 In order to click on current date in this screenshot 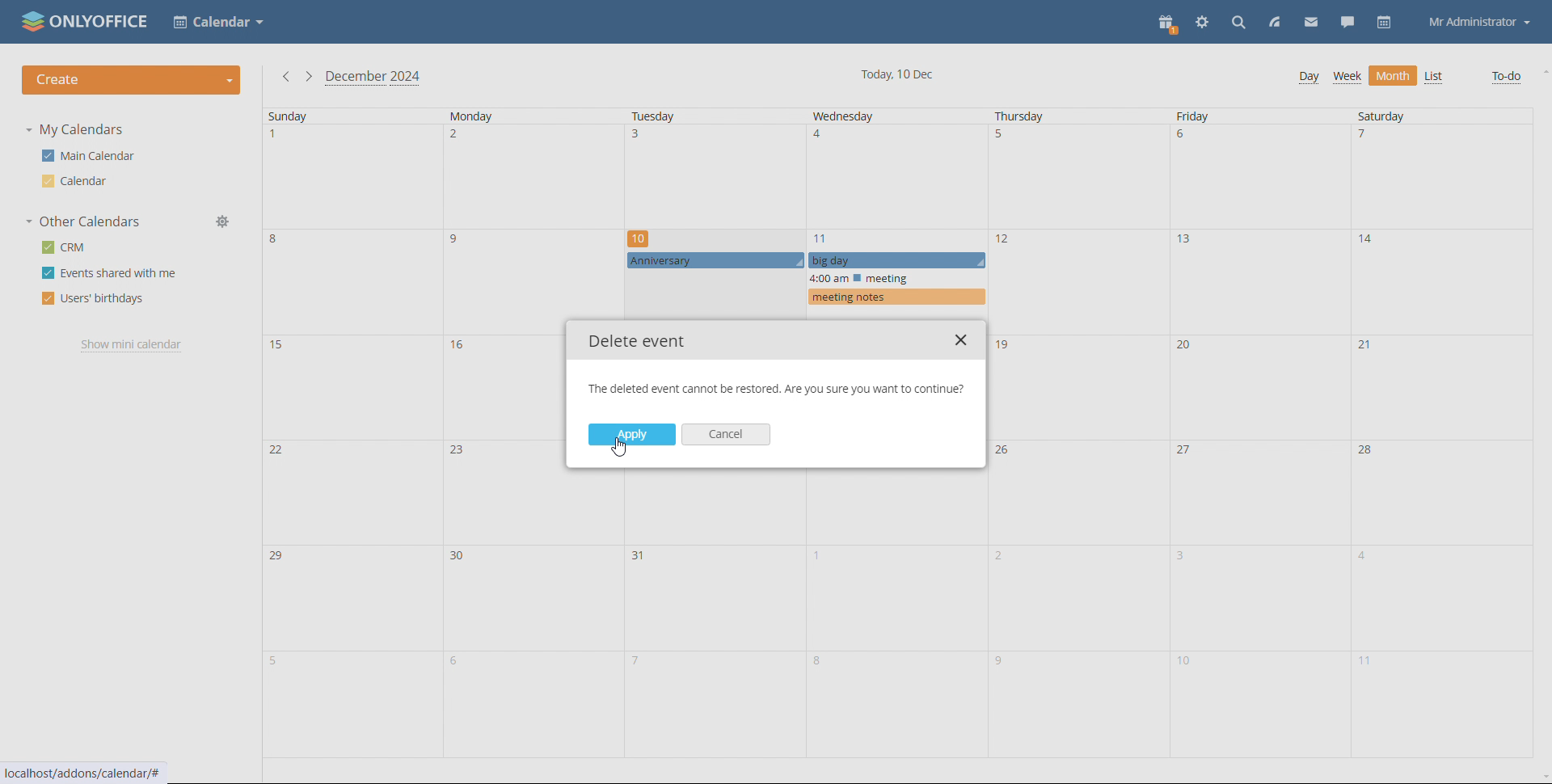, I will do `click(897, 74)`.